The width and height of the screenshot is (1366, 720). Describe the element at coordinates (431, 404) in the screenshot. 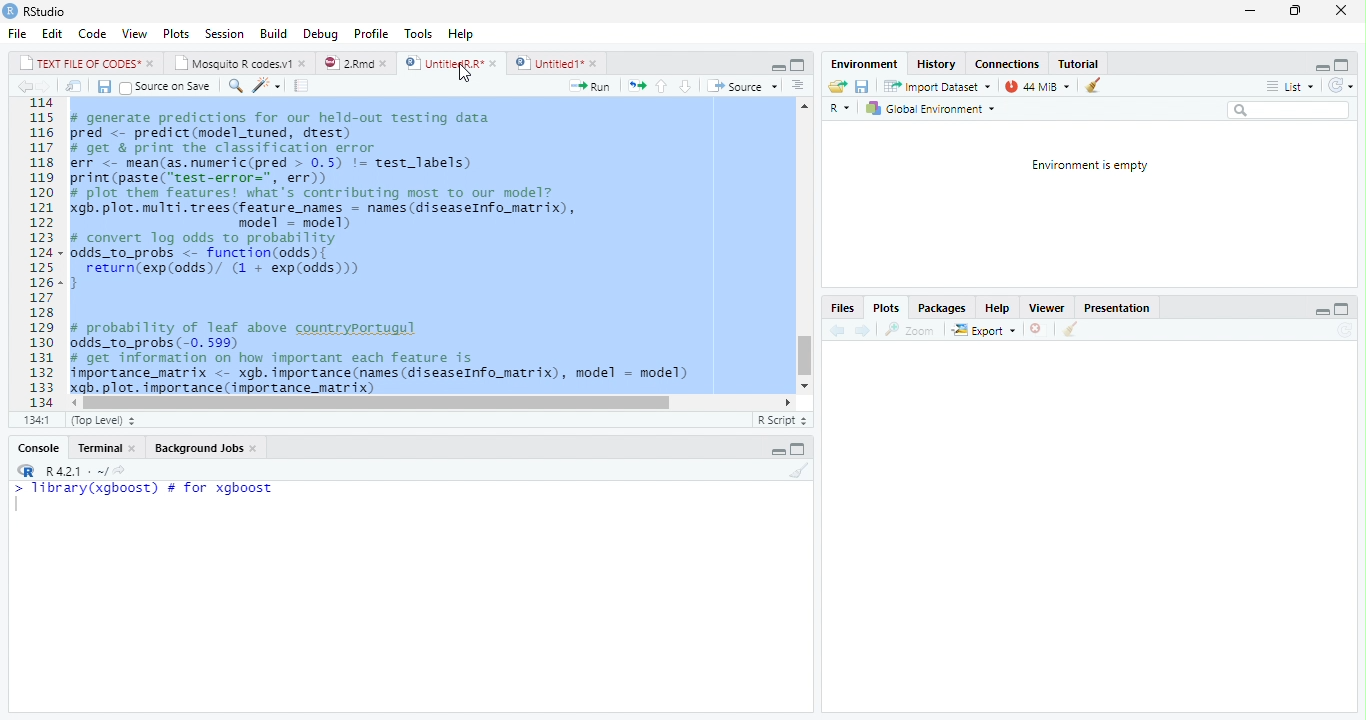

I see `Scroll` at that location.